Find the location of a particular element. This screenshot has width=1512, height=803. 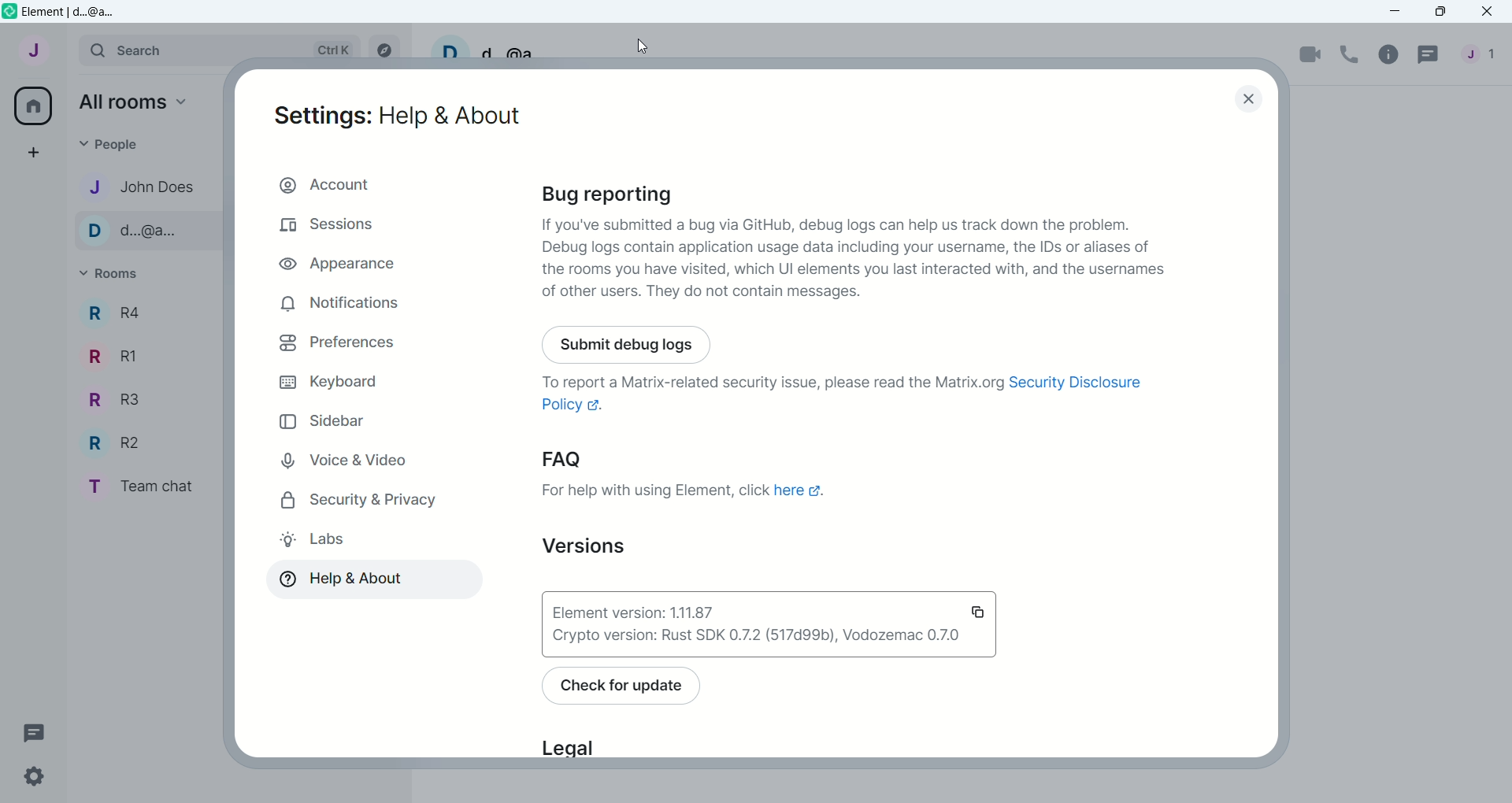

cursor is located at coordinates (643, 46).